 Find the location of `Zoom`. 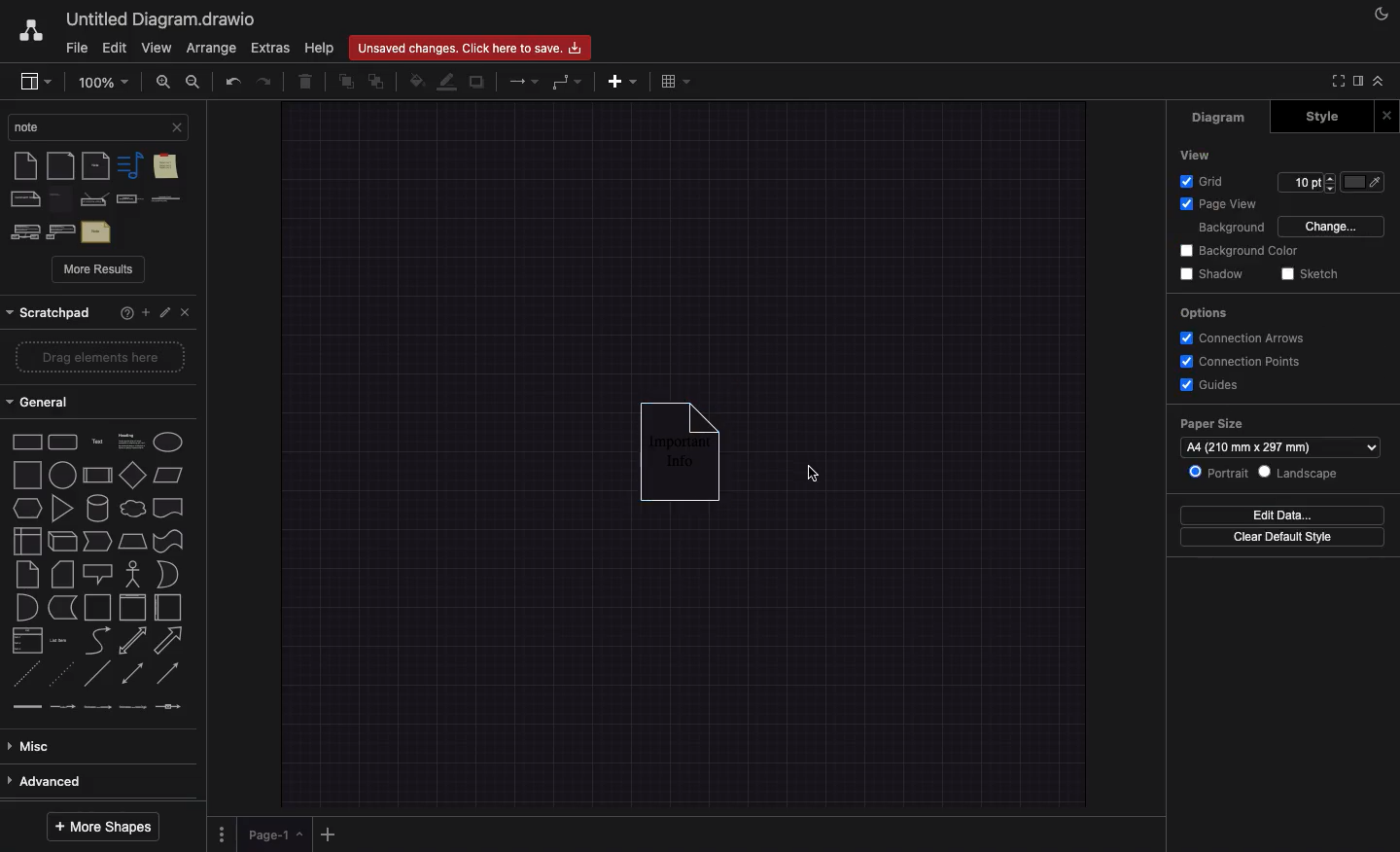

Zoom is located at coordinates (102, 81).